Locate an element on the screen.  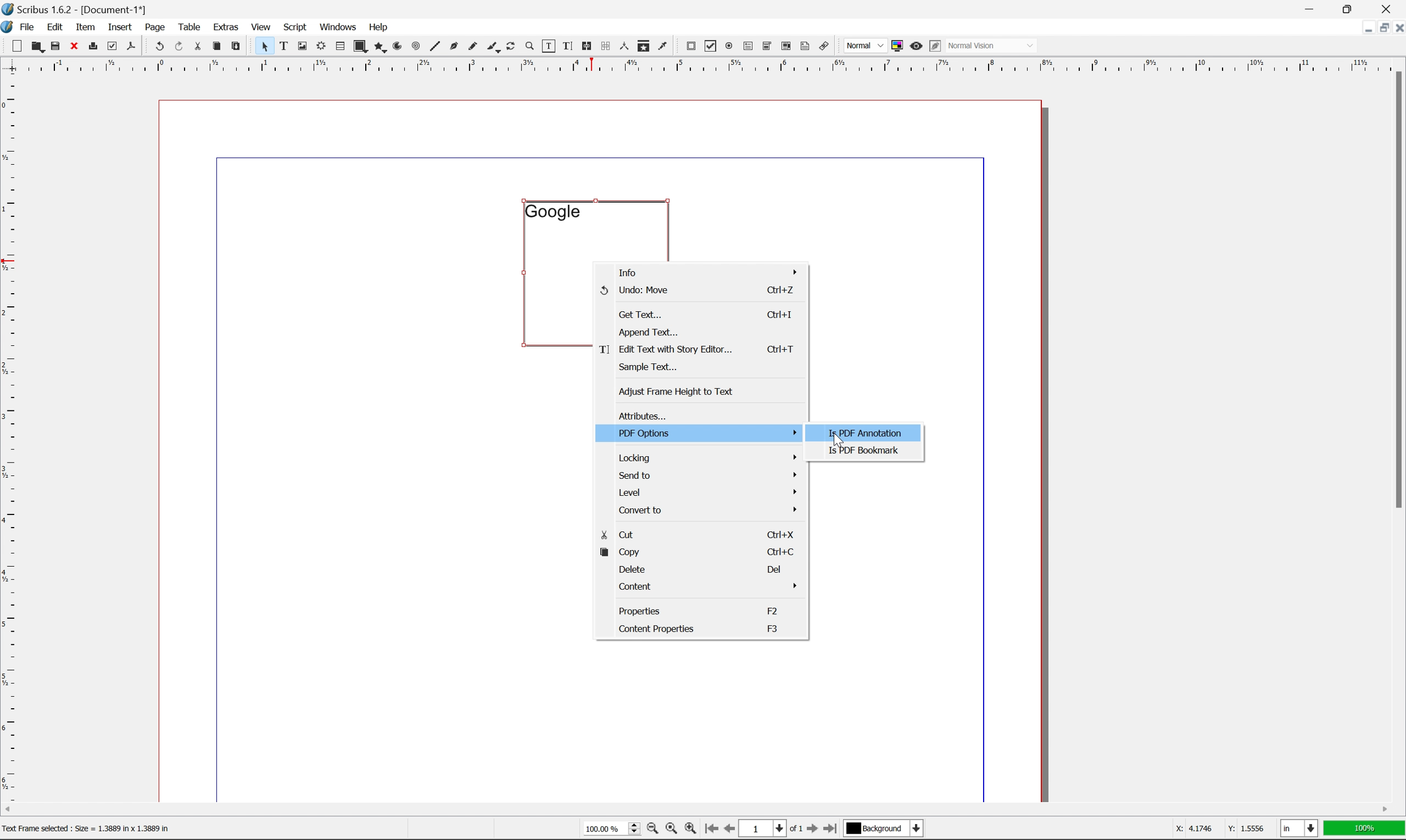
cursor is located at coordinates (839, 440).